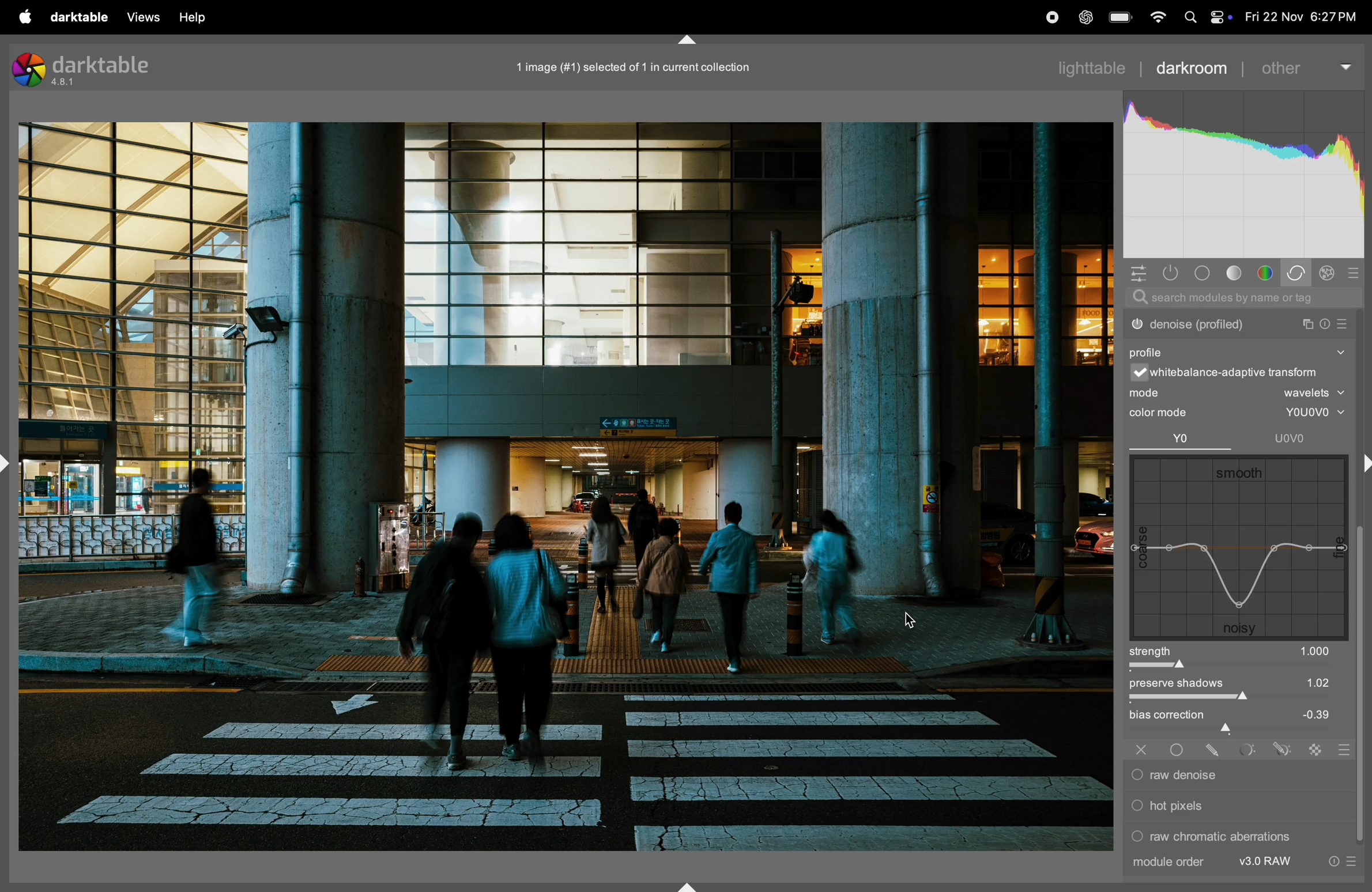  Describe the element at coordinates (1363, 686) in the screenshot. I see `vertical scroll bar` at that location.